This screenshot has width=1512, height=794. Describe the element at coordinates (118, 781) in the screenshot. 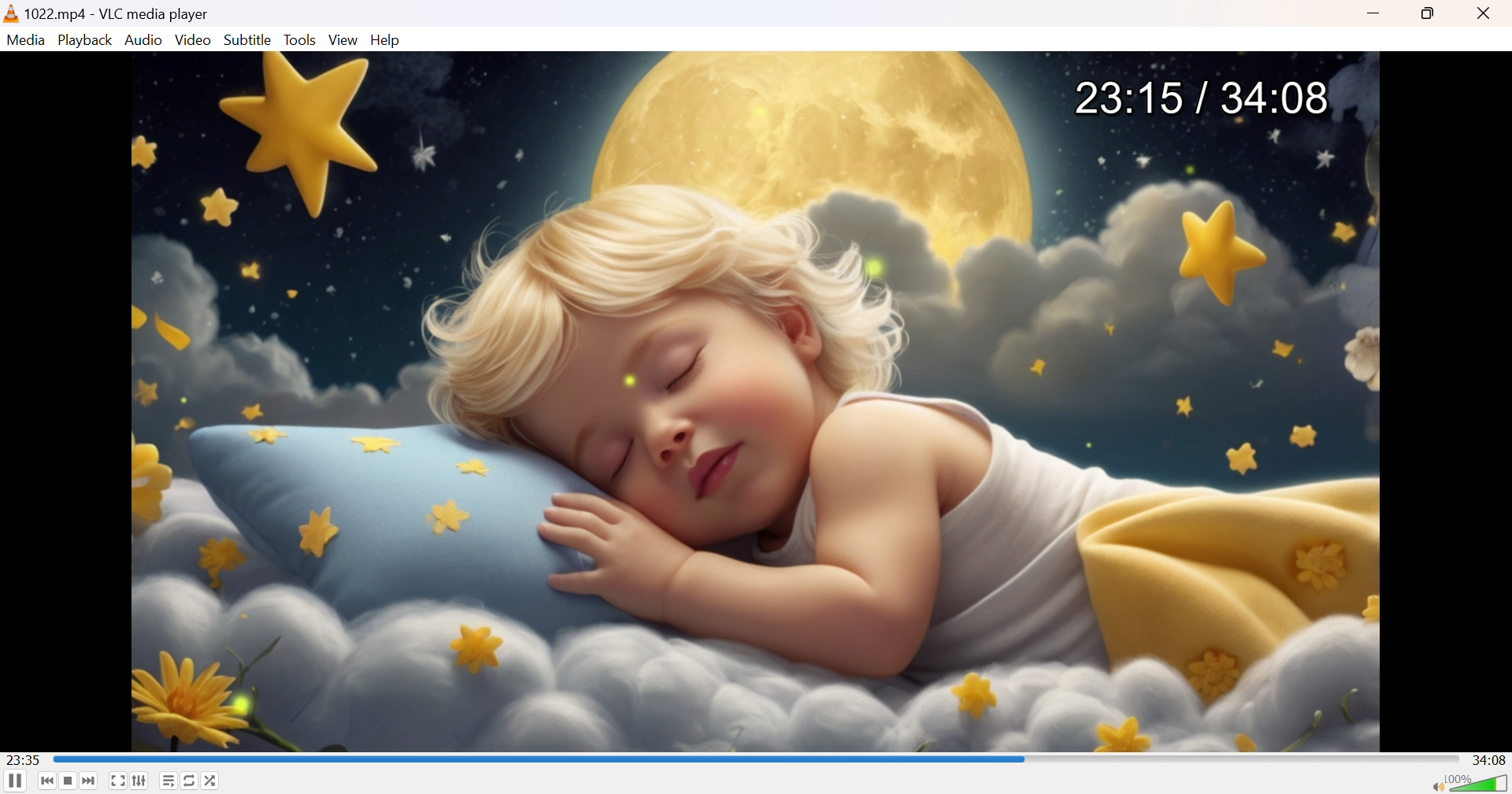

I see `Toggle the video in fullscreen` at that location.